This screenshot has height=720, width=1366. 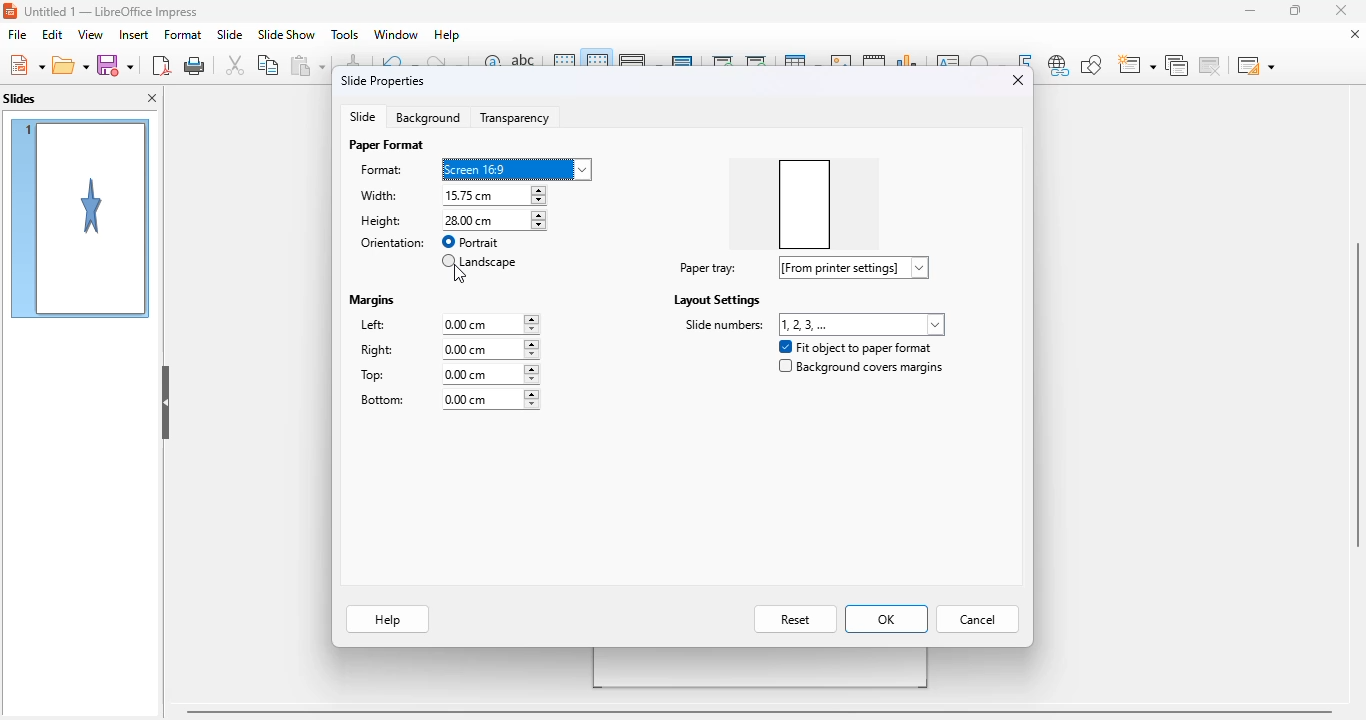 I want to click on cursor, so click(x=120, y=287).